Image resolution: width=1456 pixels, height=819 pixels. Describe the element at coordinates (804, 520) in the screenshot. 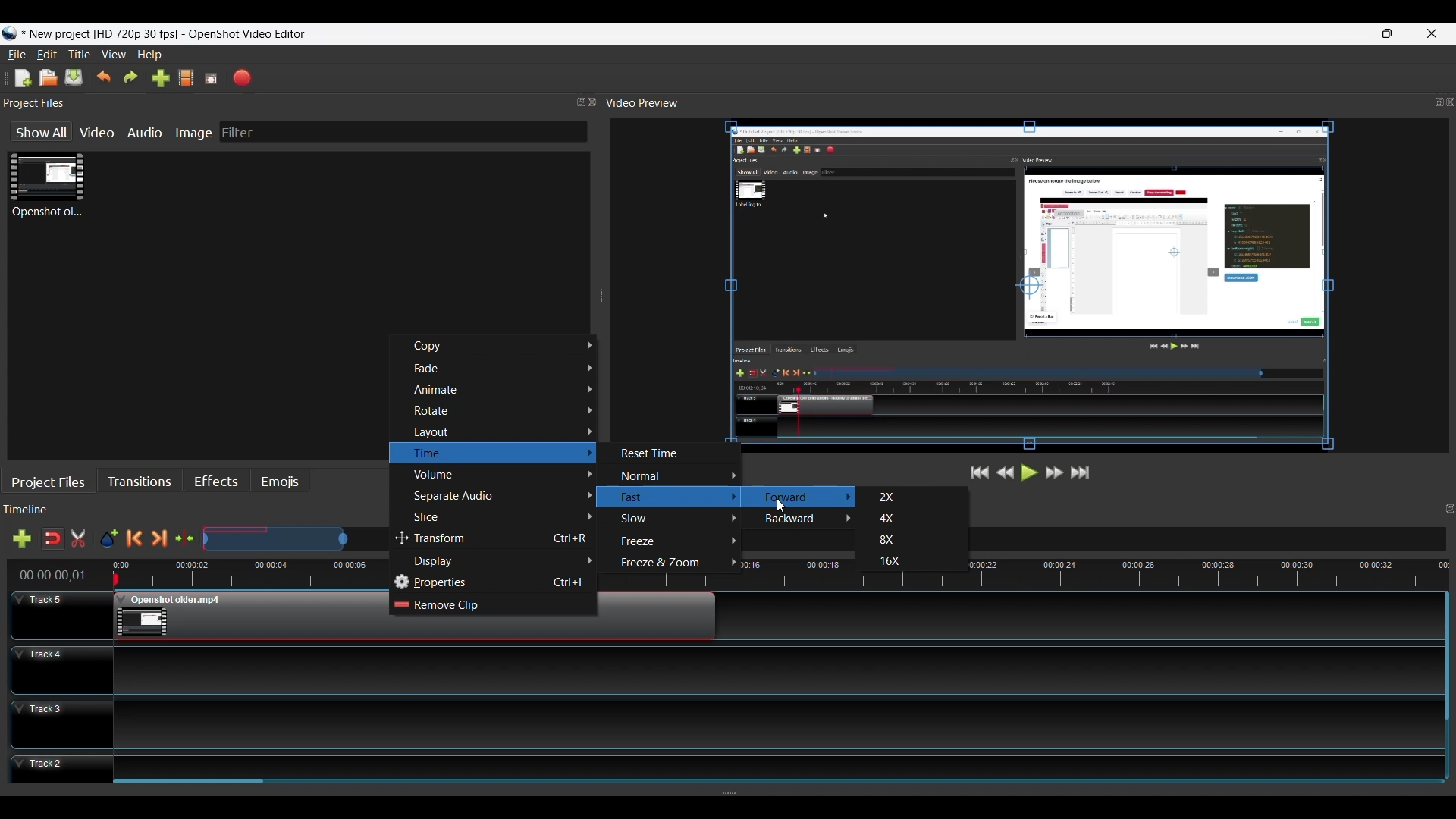

I see `Backward` at that location.